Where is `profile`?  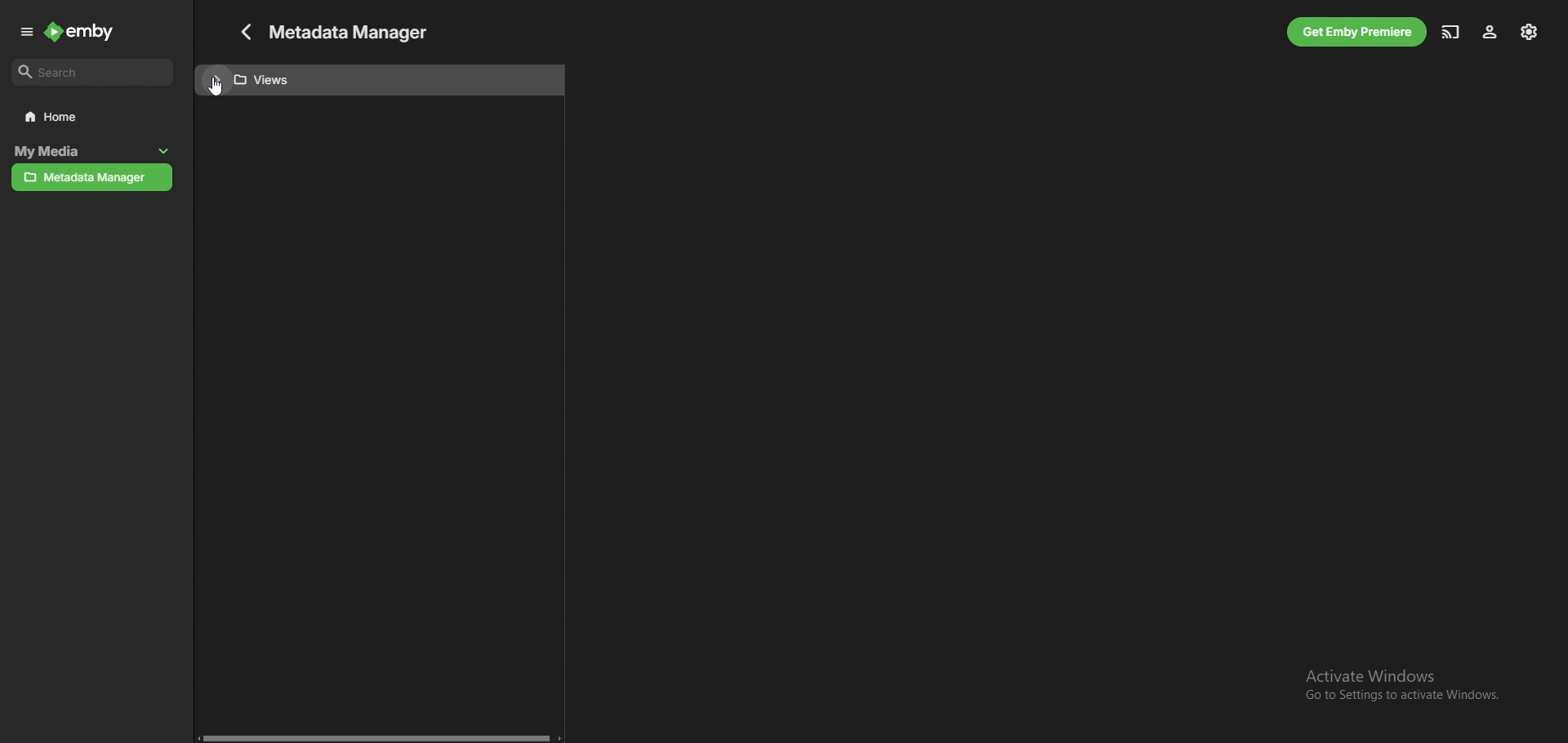 profile is located at coordinates (1490, 33).